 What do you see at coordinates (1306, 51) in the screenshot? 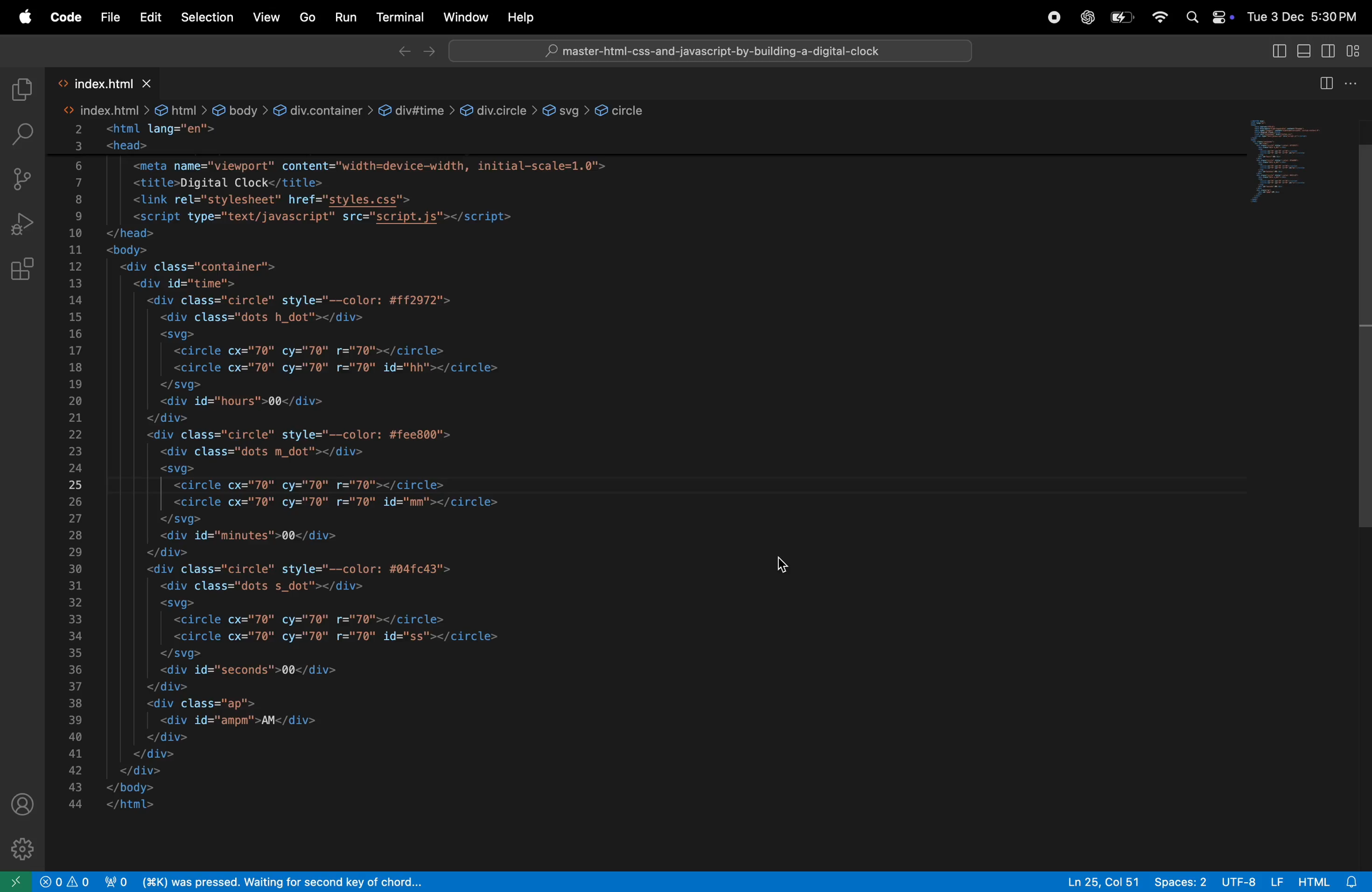
I see `toggle panel` at bounding box center [1306, 51].